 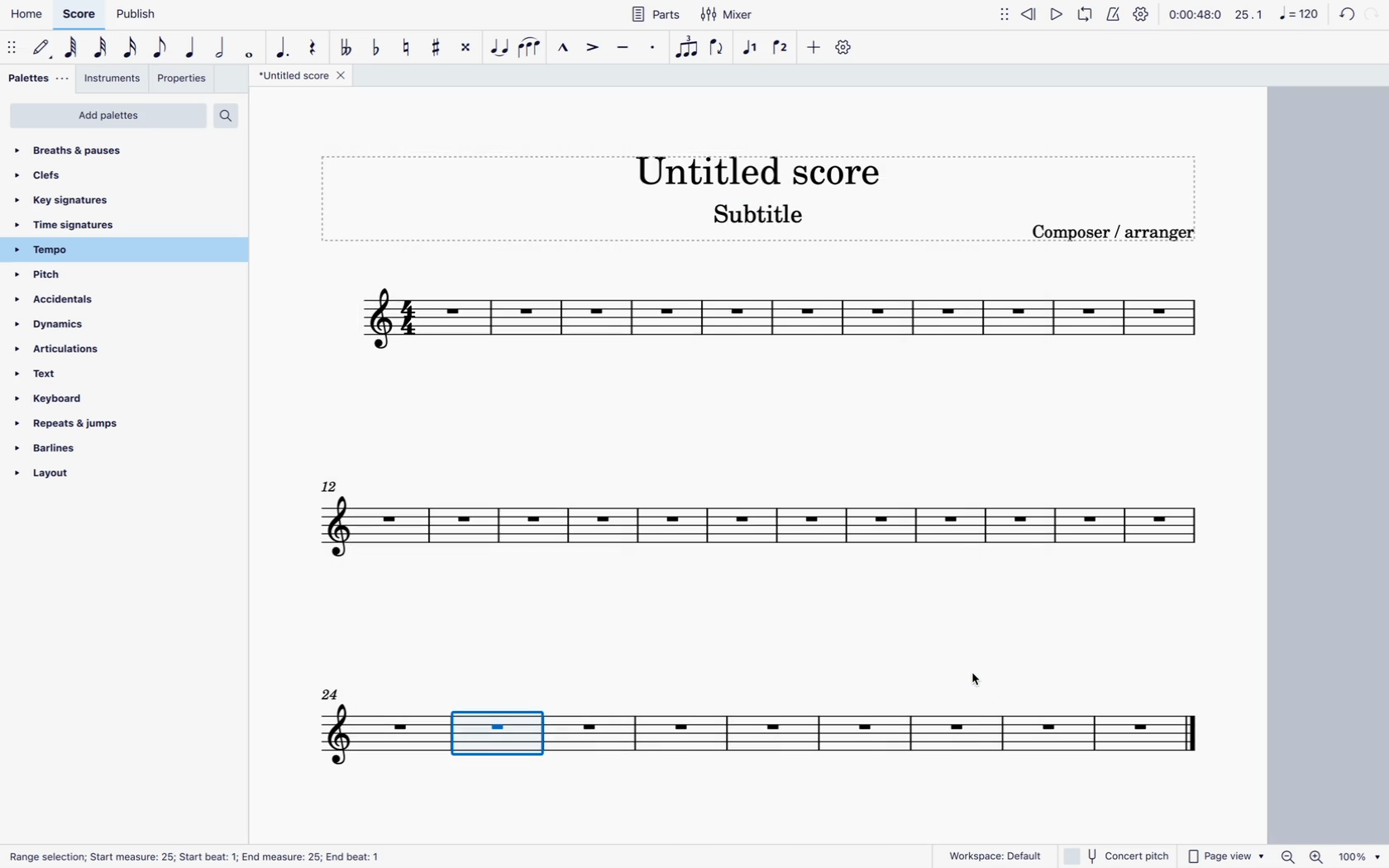 What do you see at coordinates (64, 301) in the screenshot?
I see `accidentals` at bounding box center [64, 301].